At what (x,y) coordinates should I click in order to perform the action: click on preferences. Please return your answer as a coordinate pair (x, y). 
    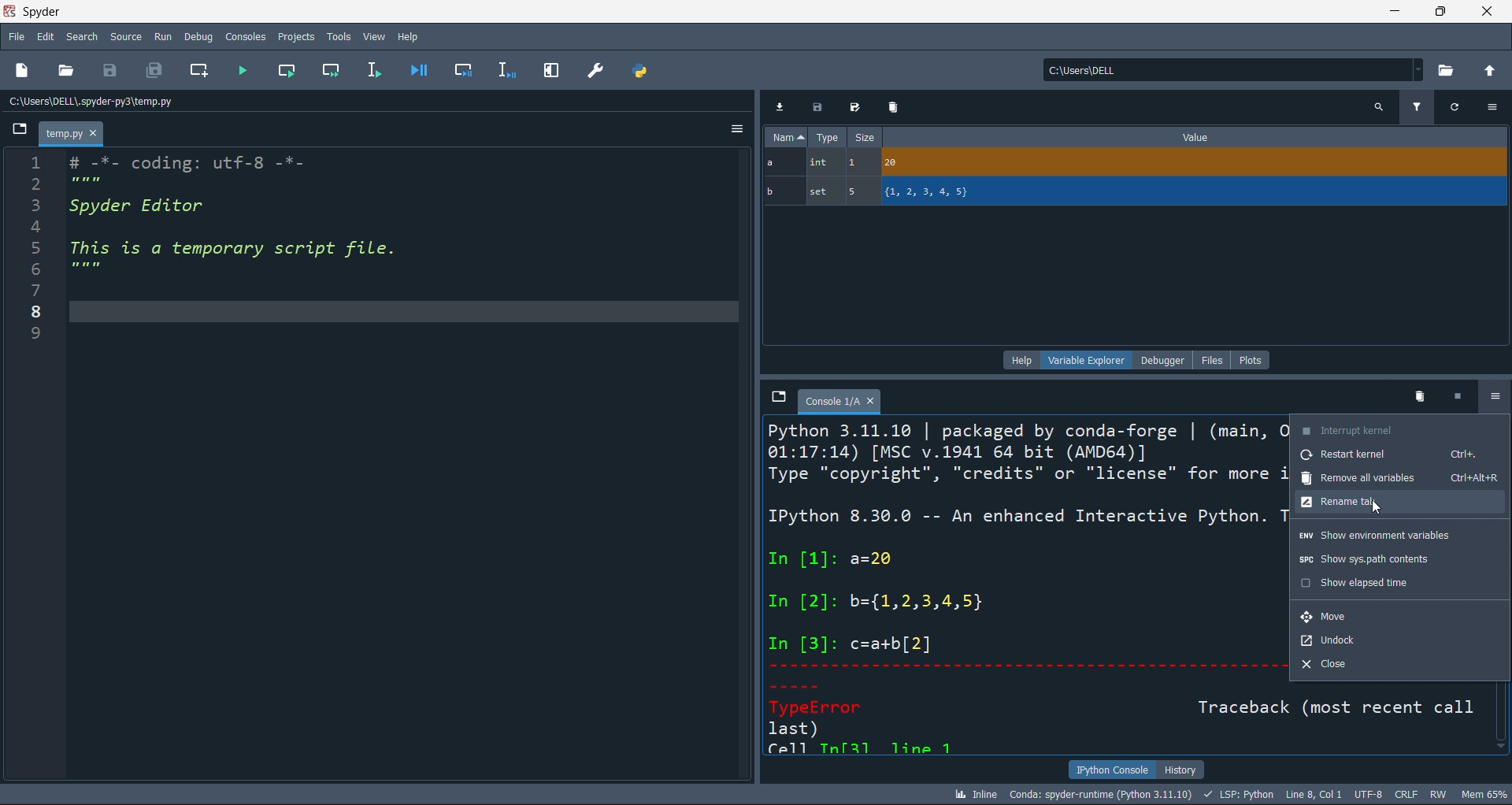
    Looking at the image, I should click on (595, 69).